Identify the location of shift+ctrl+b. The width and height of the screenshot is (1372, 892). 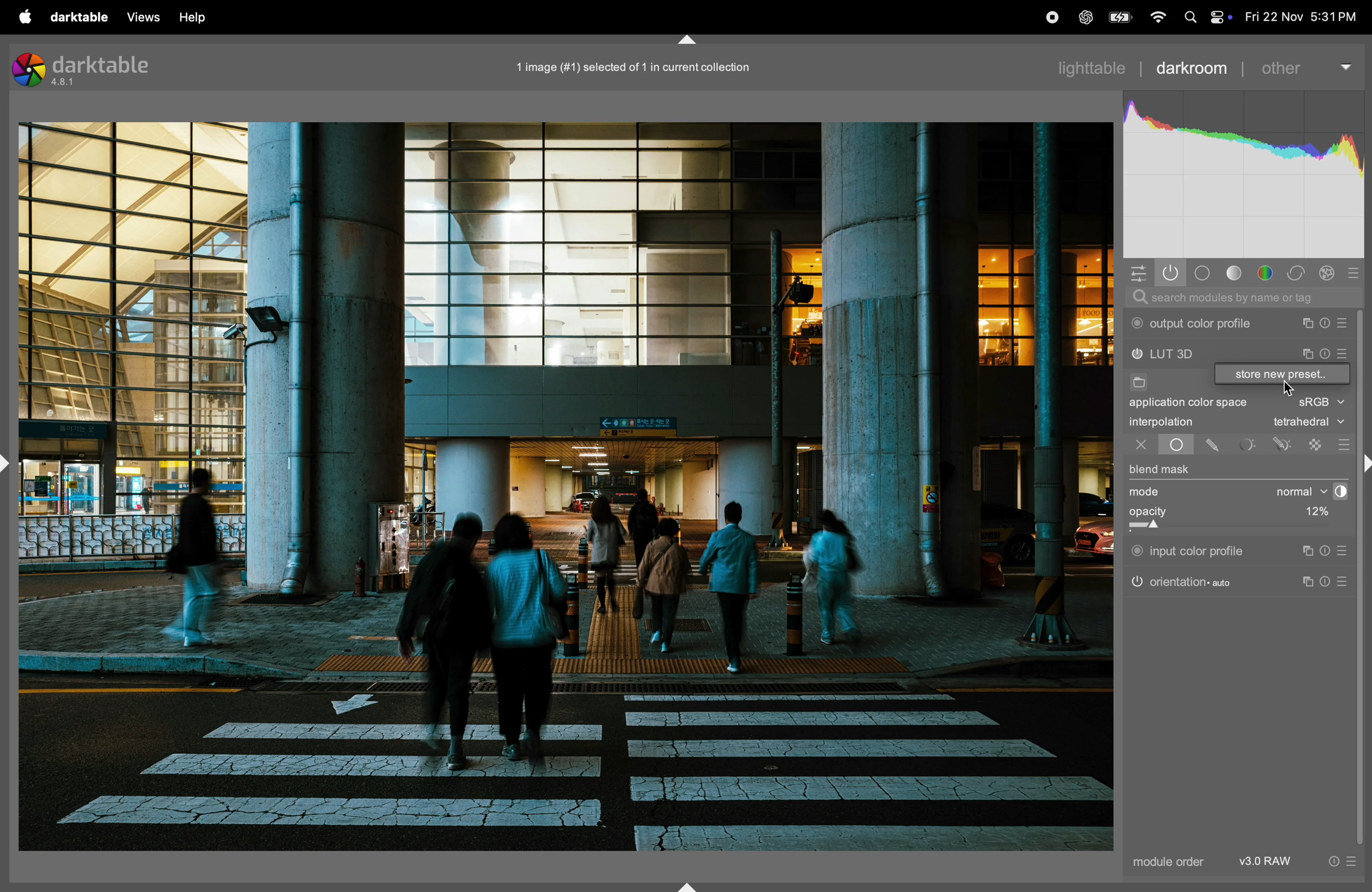
(690, 886).